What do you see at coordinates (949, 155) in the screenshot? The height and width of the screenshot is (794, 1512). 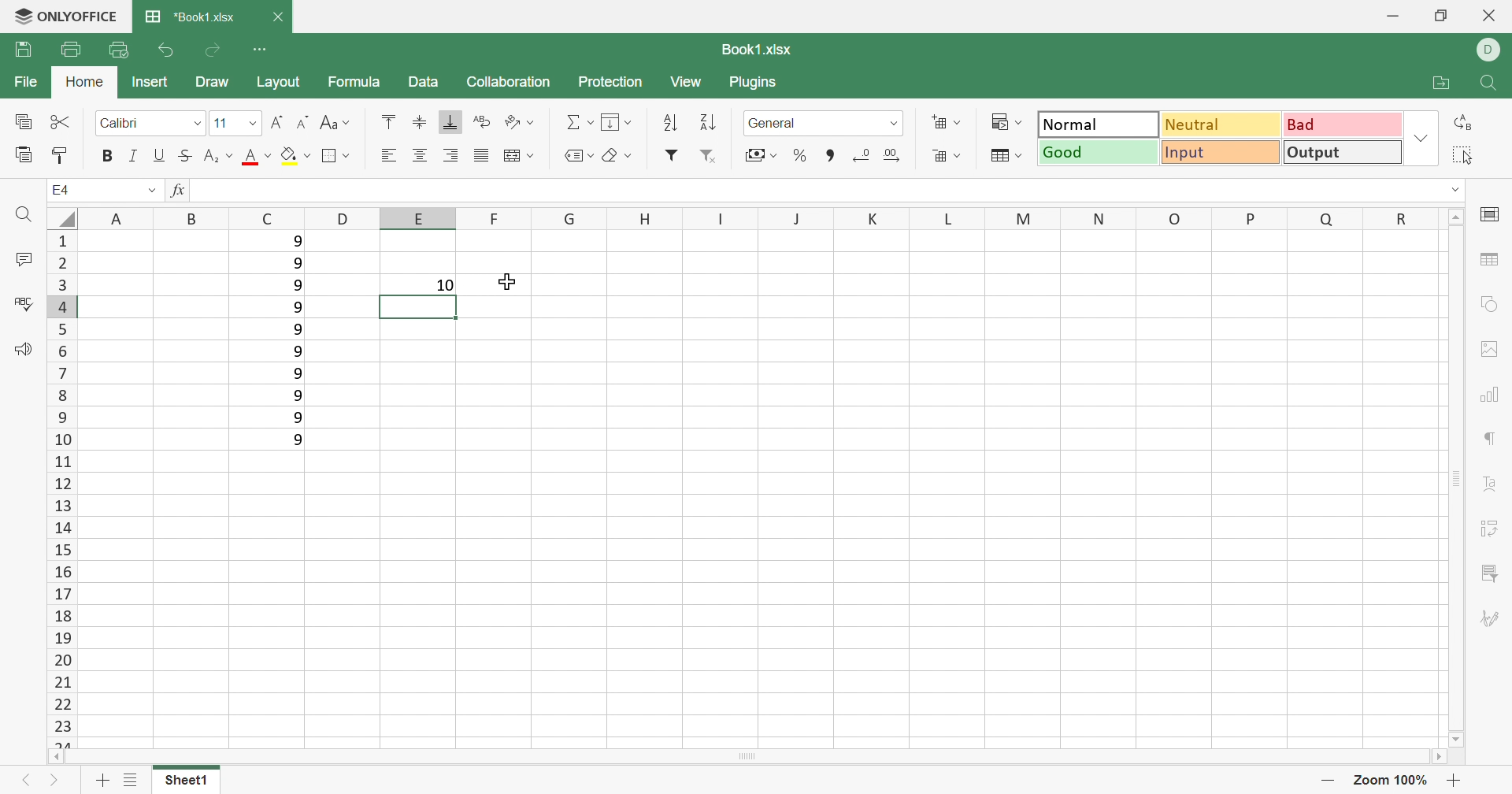 I see `Delete cells` at bounding box center [949, 155].